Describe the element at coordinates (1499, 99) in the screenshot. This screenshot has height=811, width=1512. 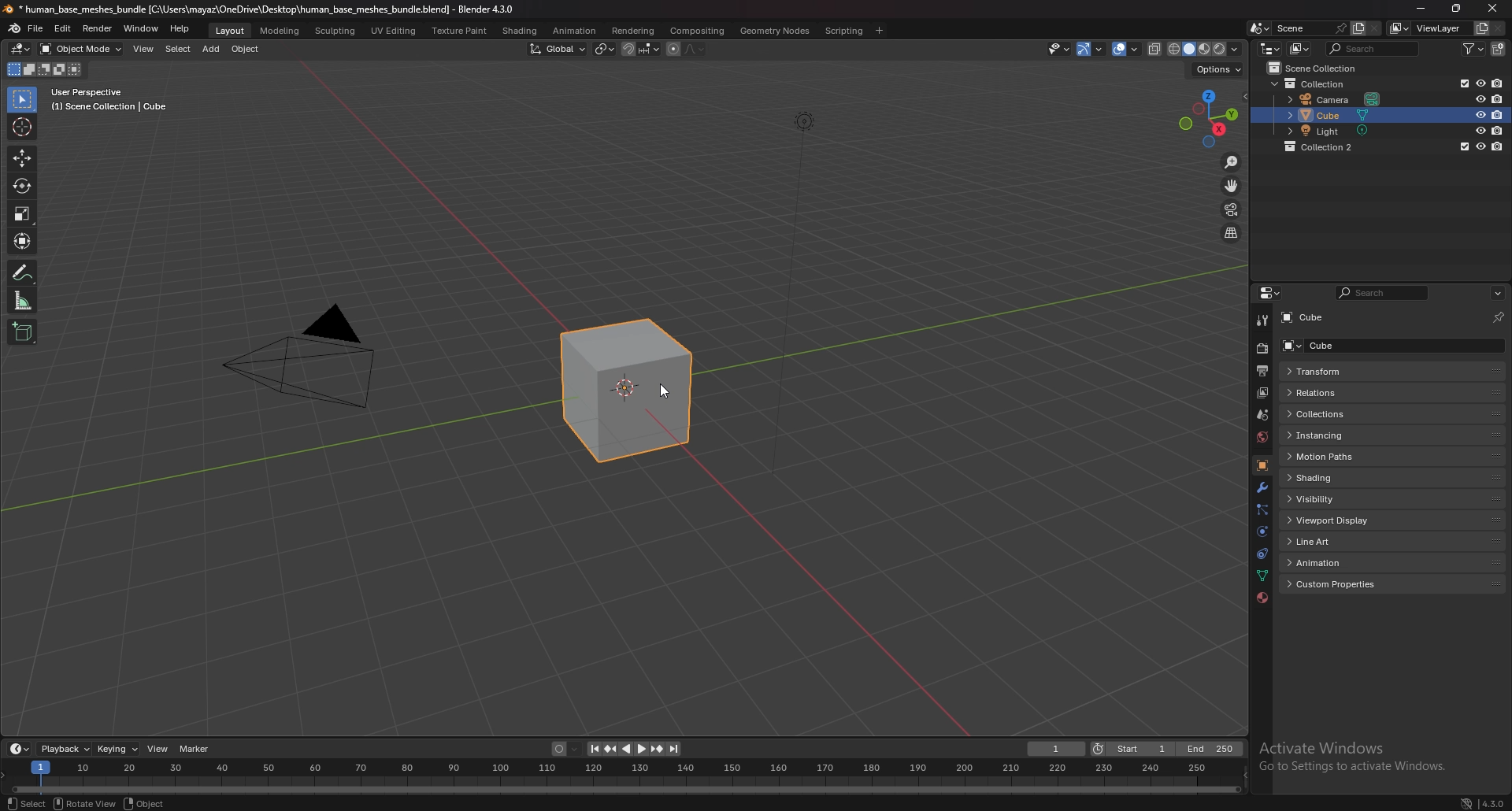
I see `disable in renders` at that location.